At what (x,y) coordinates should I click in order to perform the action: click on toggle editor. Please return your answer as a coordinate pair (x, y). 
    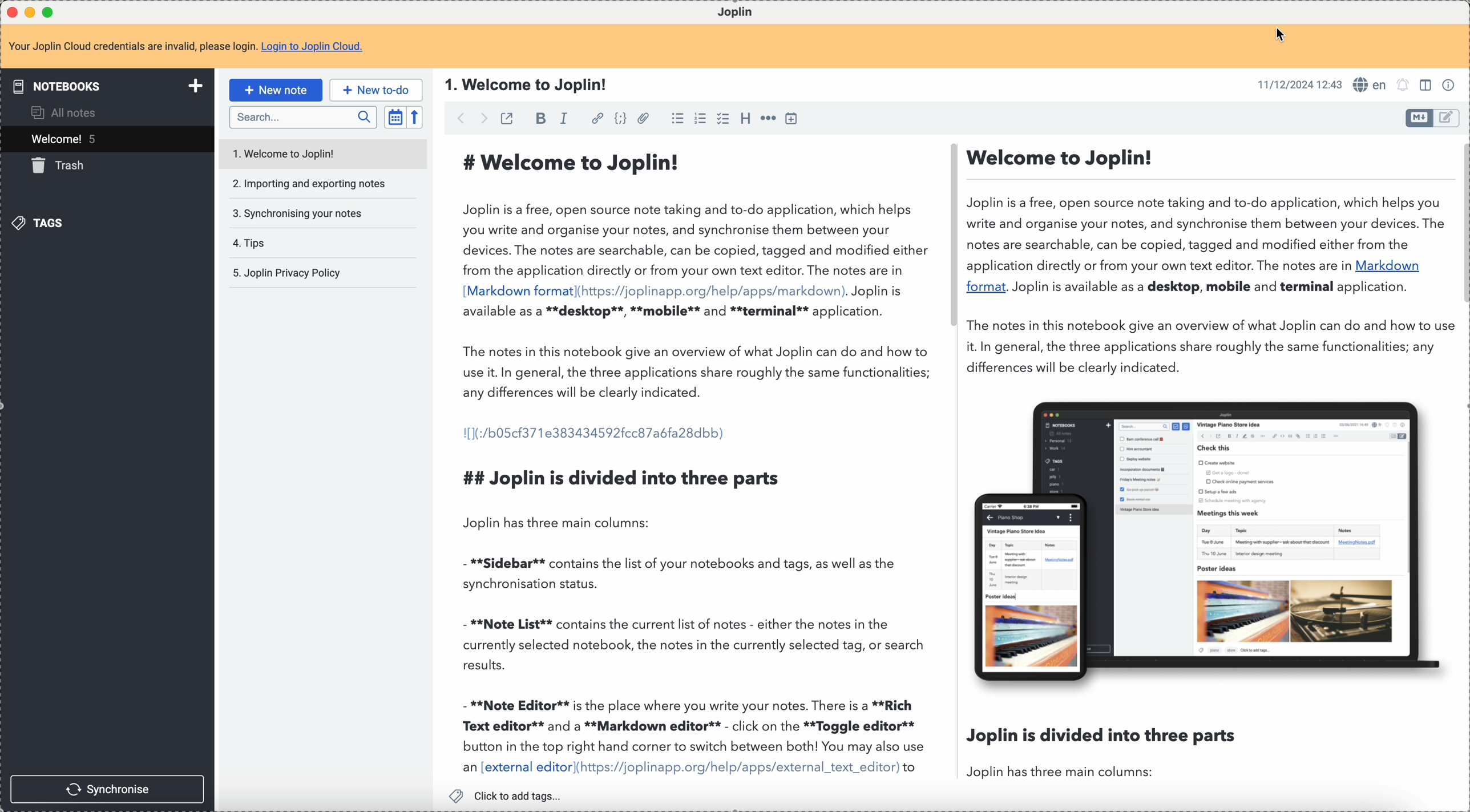
    Looking at the image, I should click on (1449, 119).